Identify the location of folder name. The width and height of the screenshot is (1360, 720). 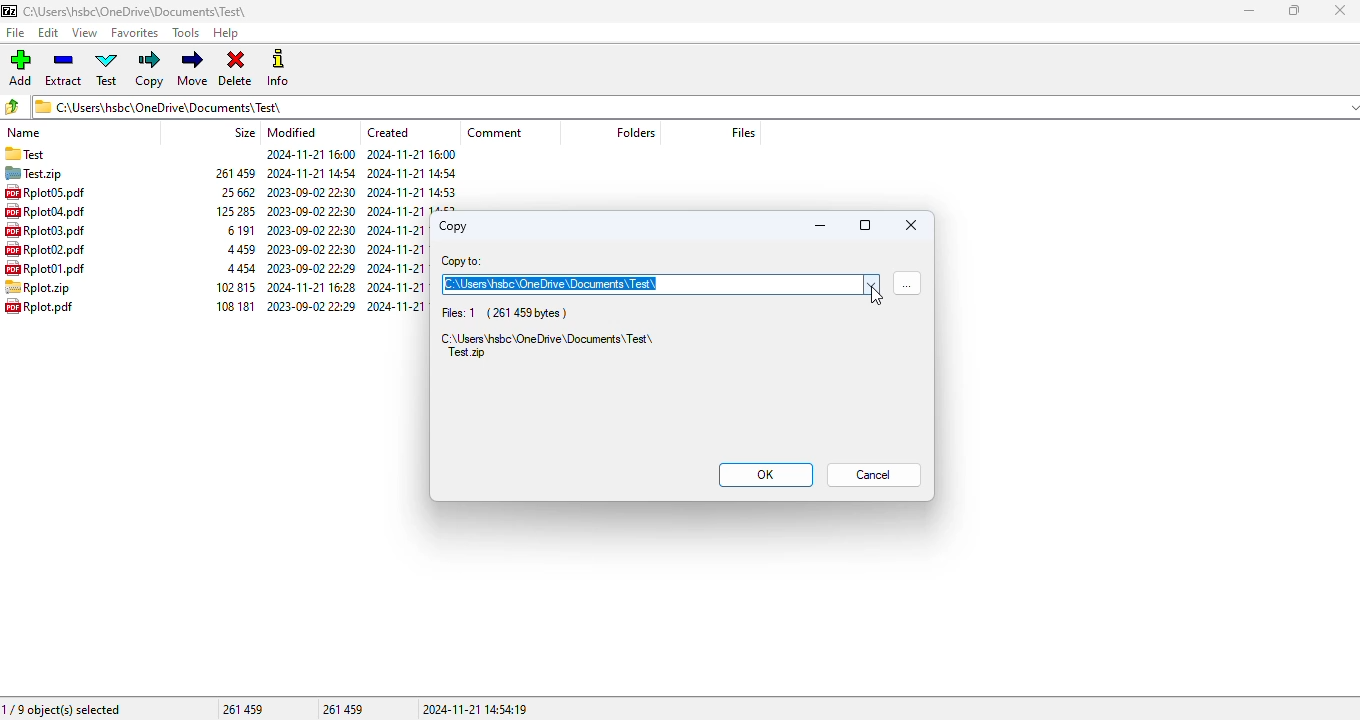
(135, 11).